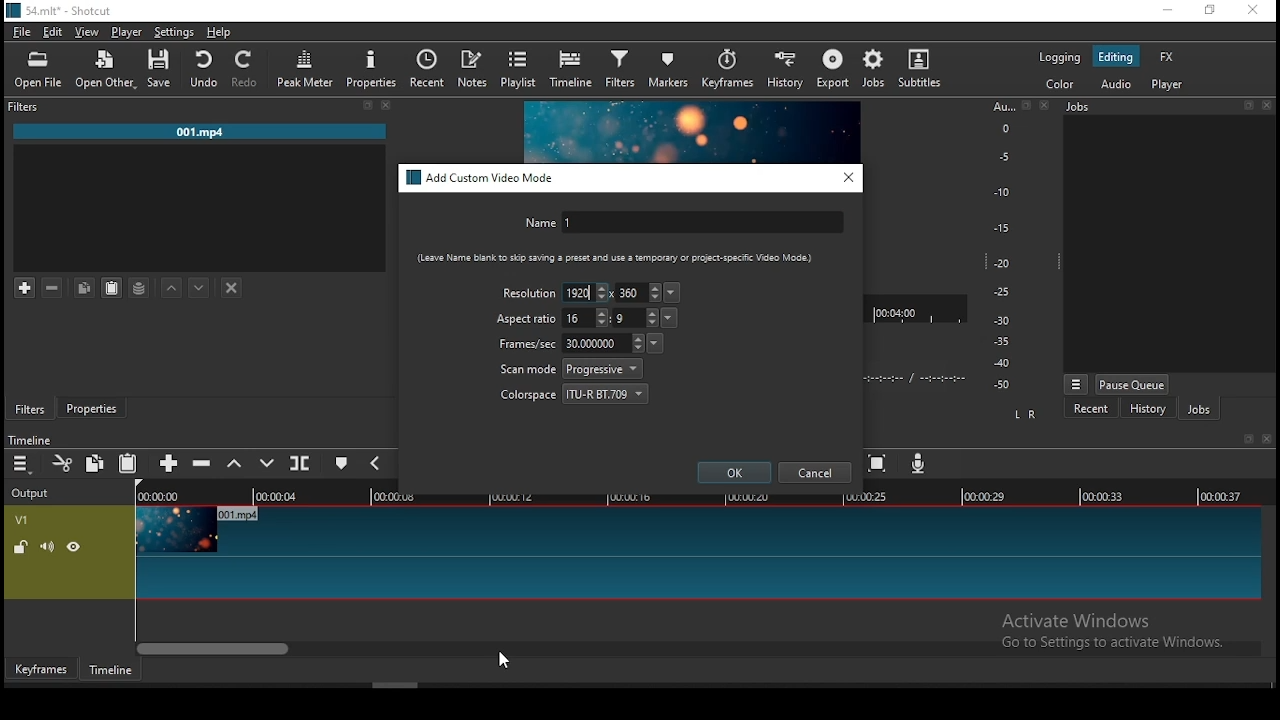  I want to click on mouse pointer, so click(500, 660).